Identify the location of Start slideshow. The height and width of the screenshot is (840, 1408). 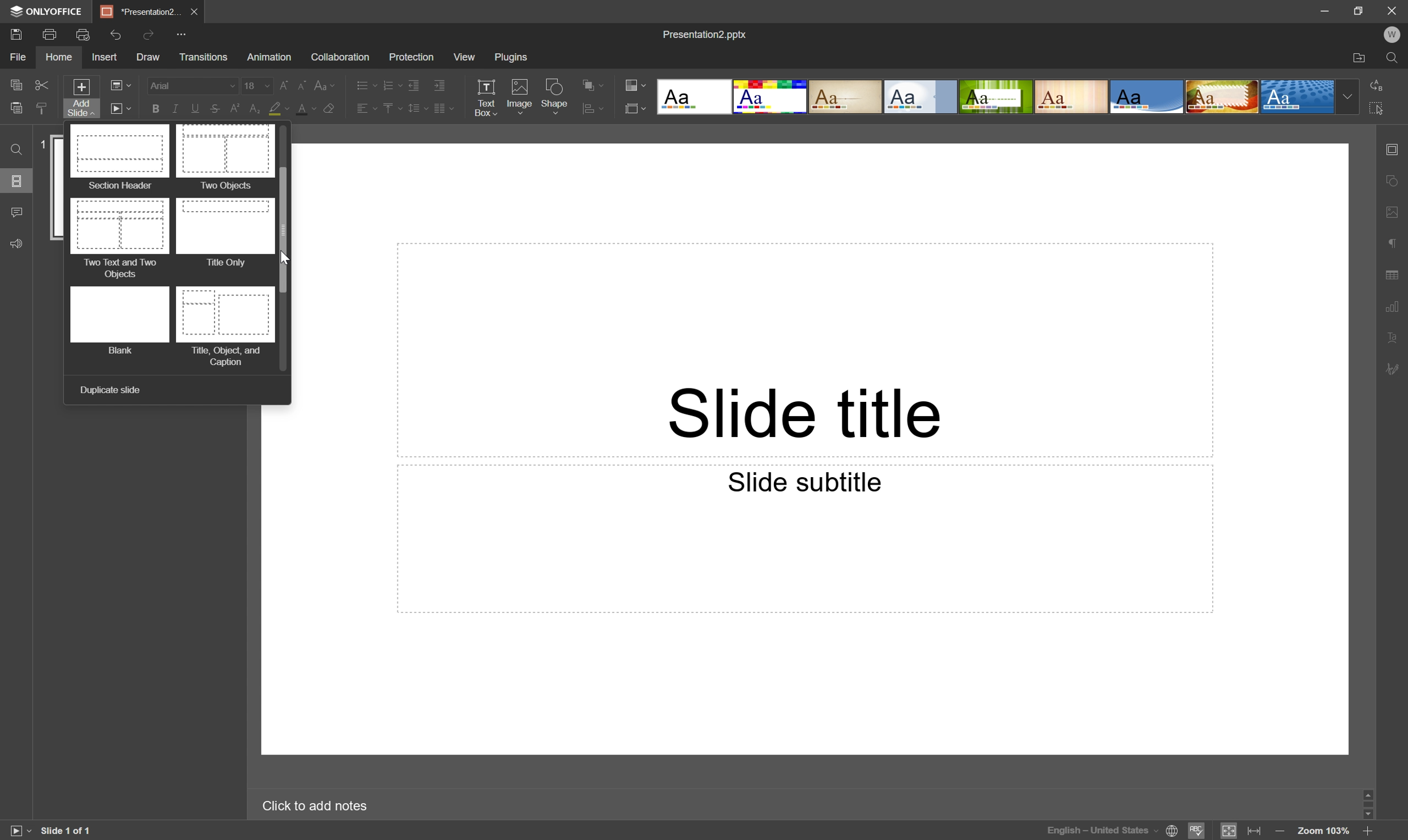
(120, 108).